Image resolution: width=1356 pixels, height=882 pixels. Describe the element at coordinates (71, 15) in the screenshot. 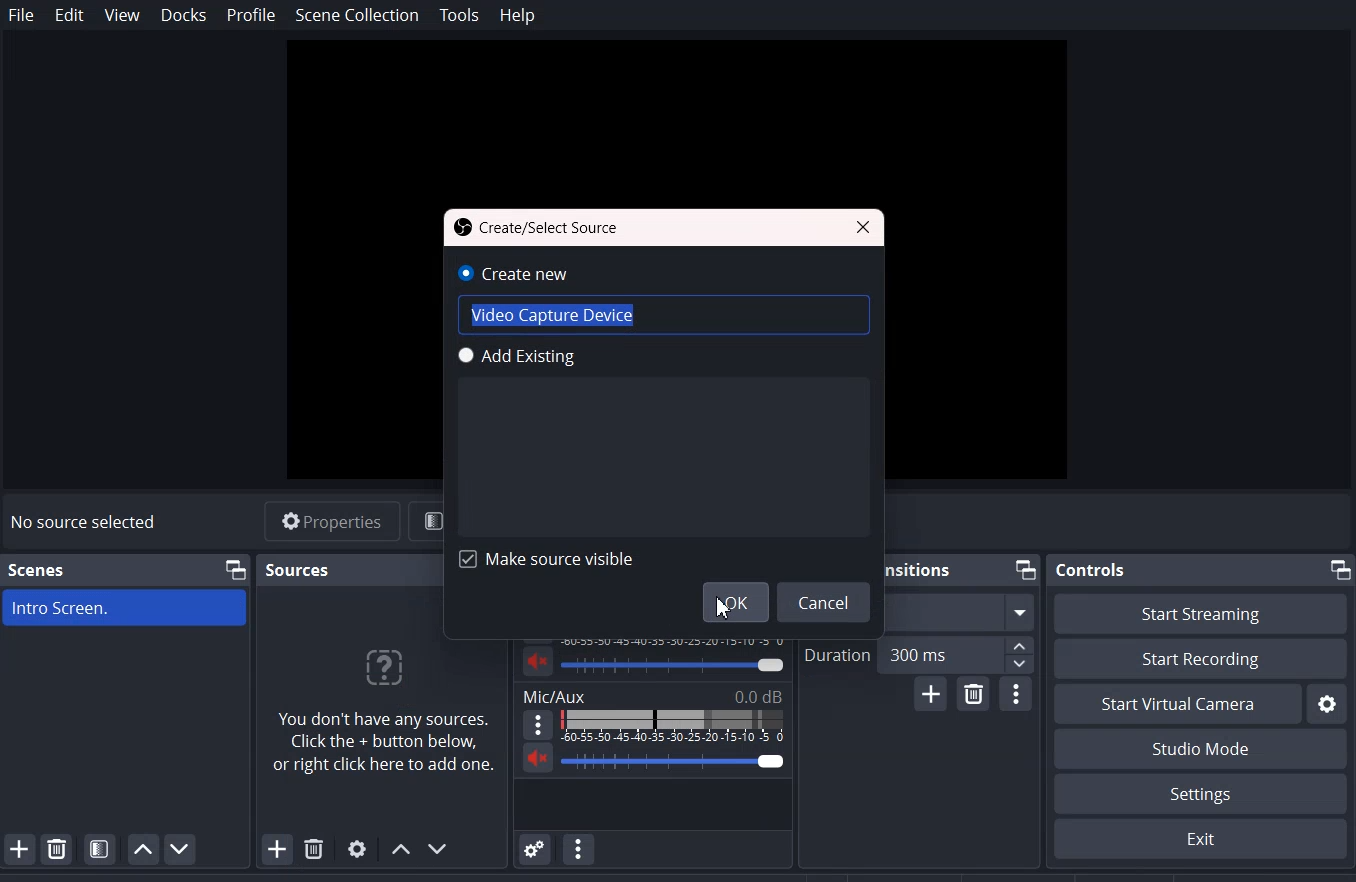

I see `Edit` at that location.